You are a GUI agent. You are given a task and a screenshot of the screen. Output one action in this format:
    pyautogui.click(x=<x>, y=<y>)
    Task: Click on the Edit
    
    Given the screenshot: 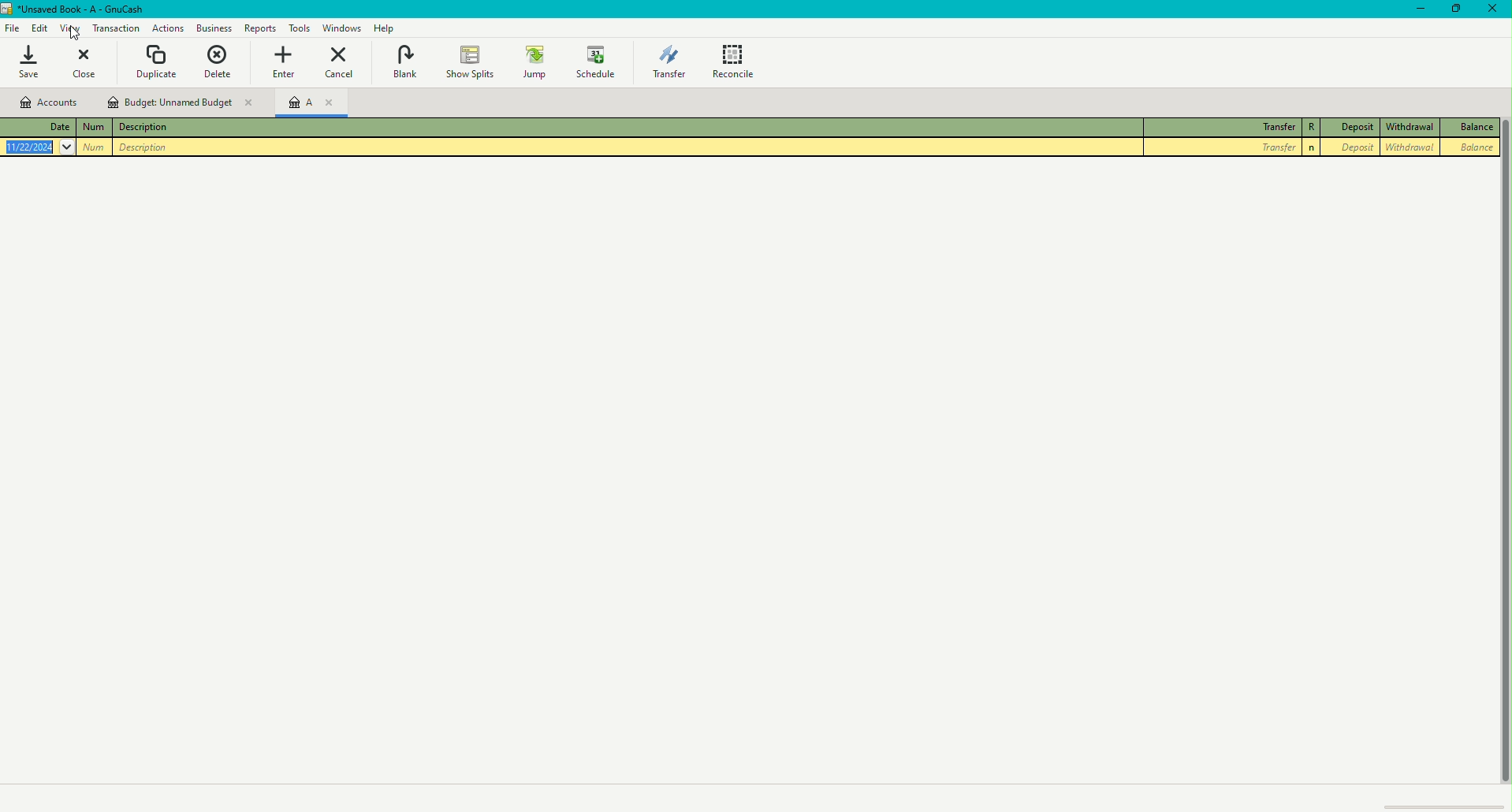 What is the action you would take?
    pyautogui.click(x=35, y=27)
    